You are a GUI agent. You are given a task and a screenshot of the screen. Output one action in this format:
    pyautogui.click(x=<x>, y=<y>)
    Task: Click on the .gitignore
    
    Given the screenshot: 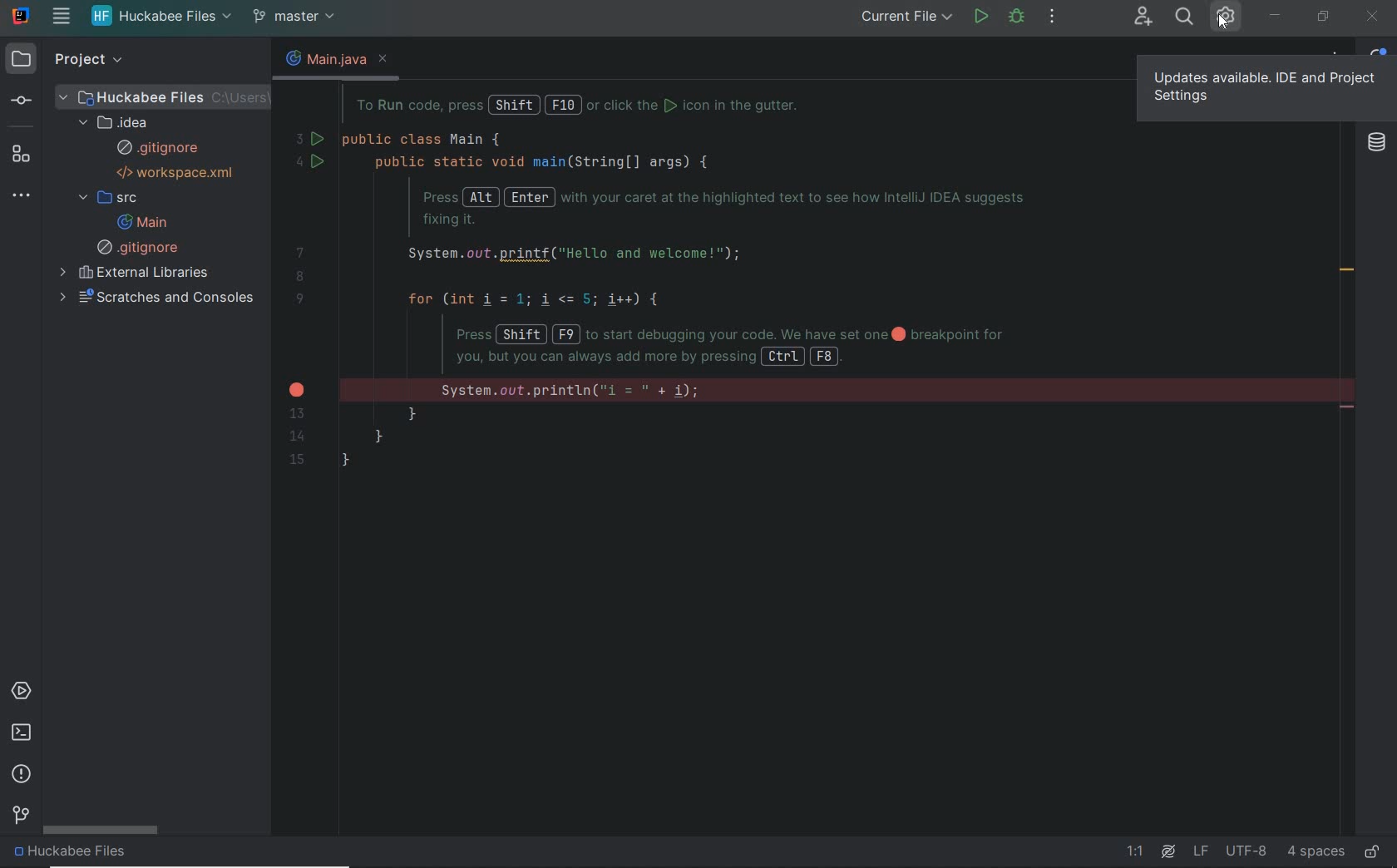 What is the action you would take?
    pyautogui.click(x=158, y=149)
    